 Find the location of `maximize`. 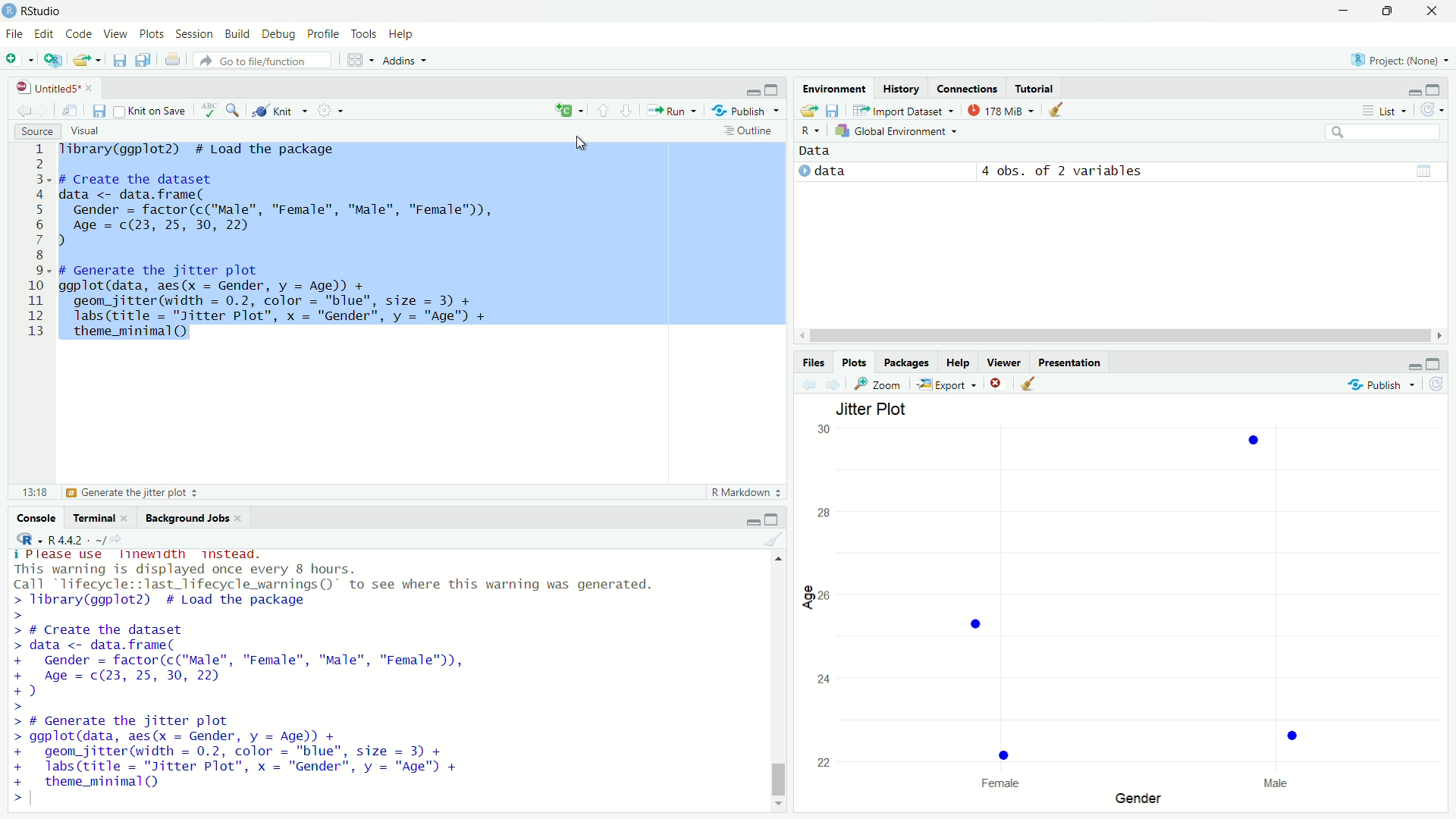

maximize is located at coordinates (775, 88).